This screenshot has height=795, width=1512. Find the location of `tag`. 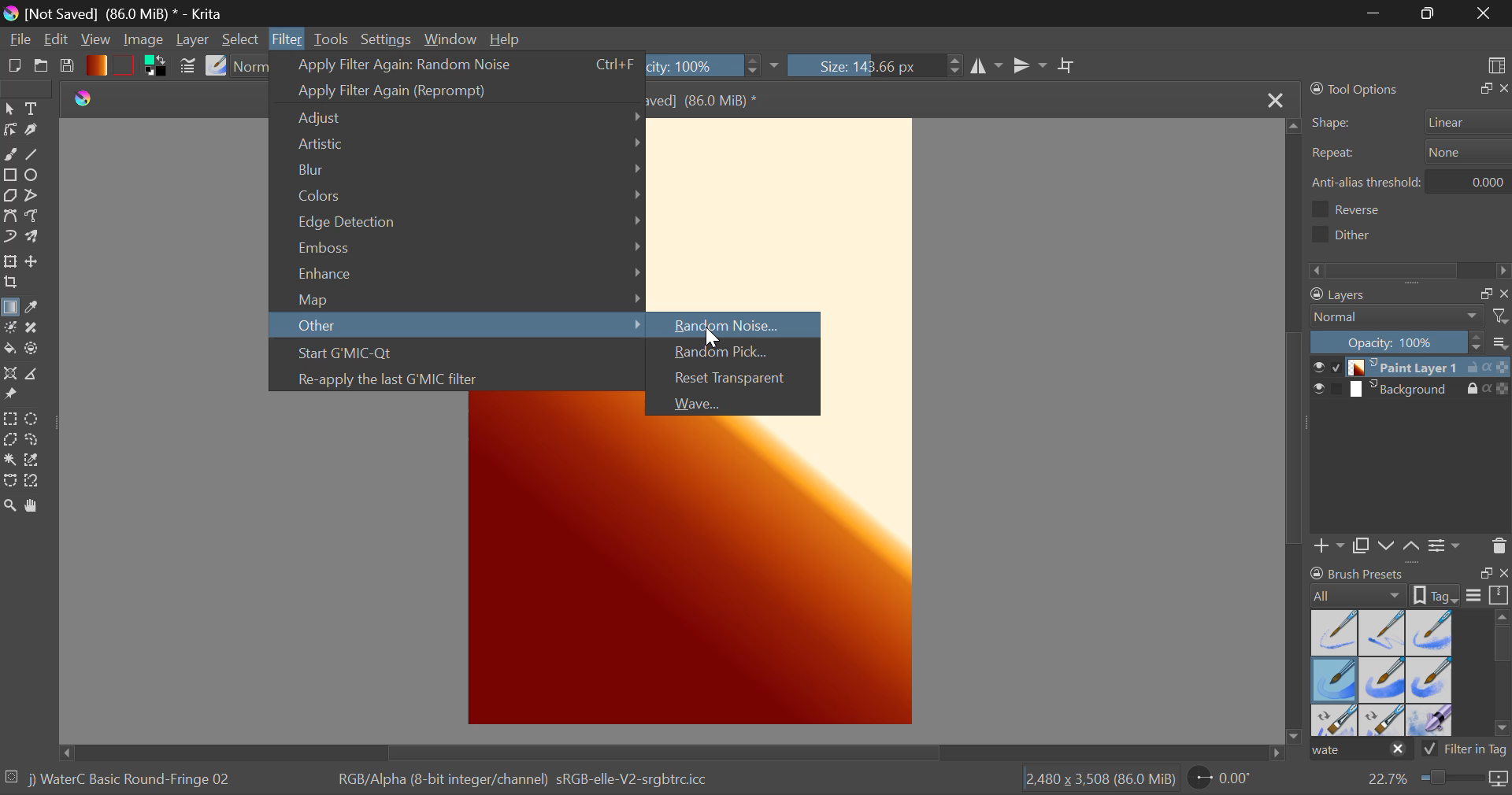

tag is located at coordinates (1438, 594).